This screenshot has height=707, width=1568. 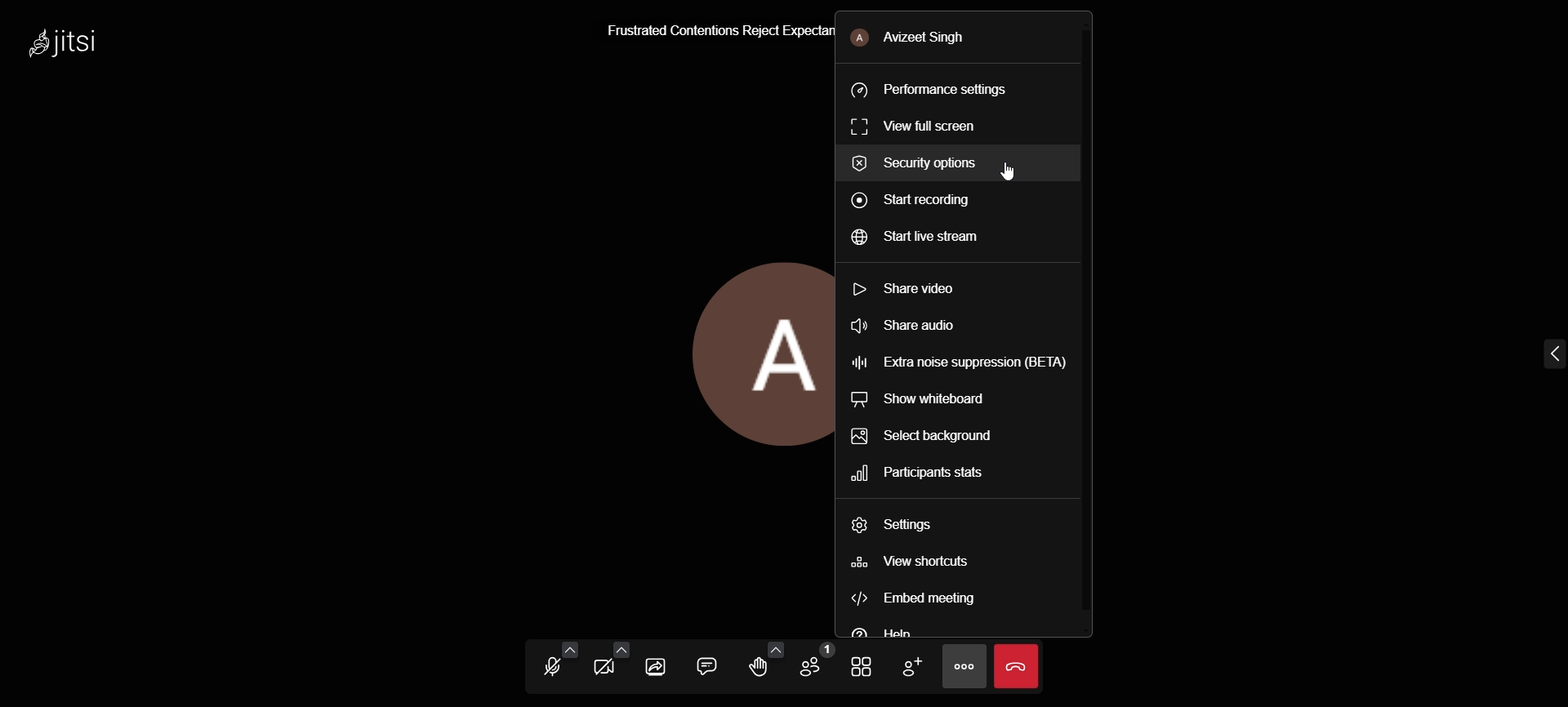 I want to click on participants stats, so click(x=921, y=475).